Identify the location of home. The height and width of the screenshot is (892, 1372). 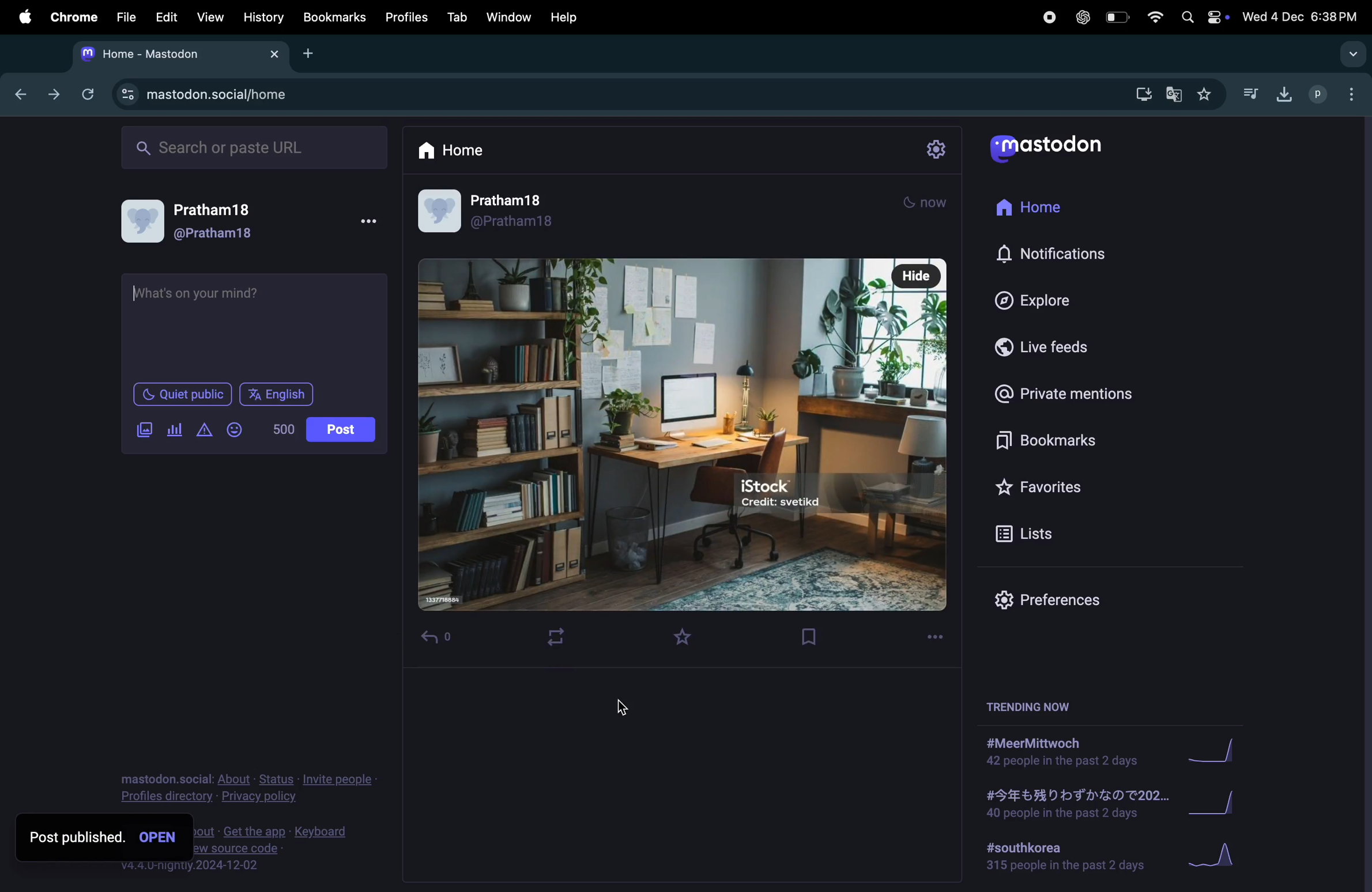
(1034, 211).